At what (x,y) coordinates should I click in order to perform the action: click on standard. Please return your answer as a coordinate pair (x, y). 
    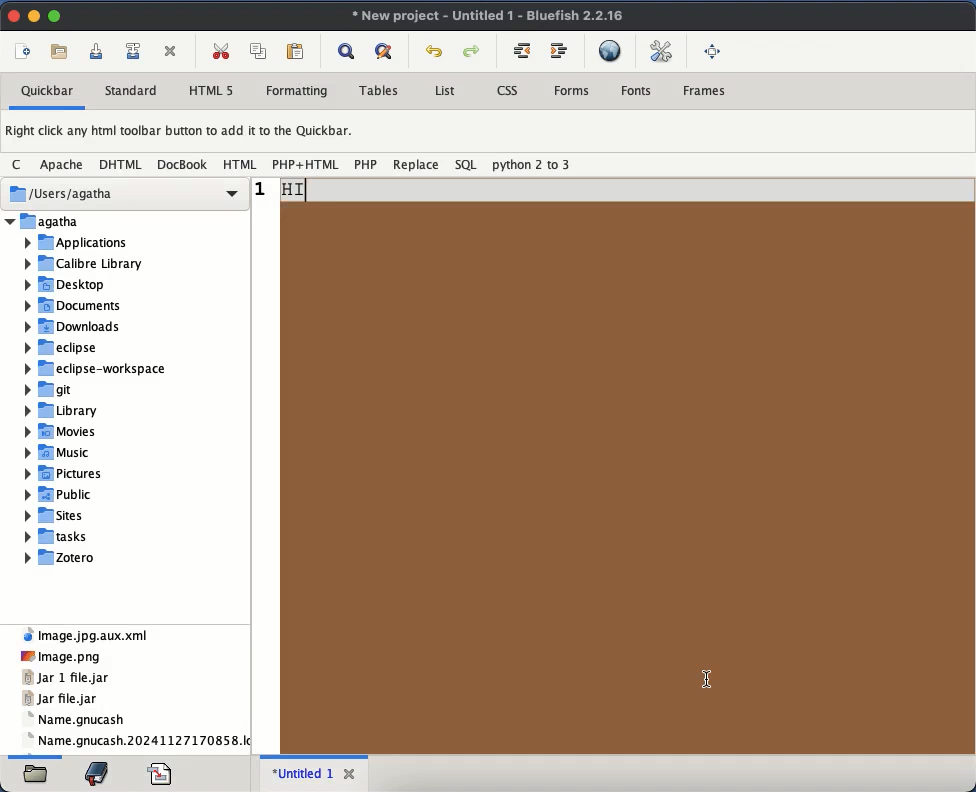
    Looking at the image, I should click on (133, 90).